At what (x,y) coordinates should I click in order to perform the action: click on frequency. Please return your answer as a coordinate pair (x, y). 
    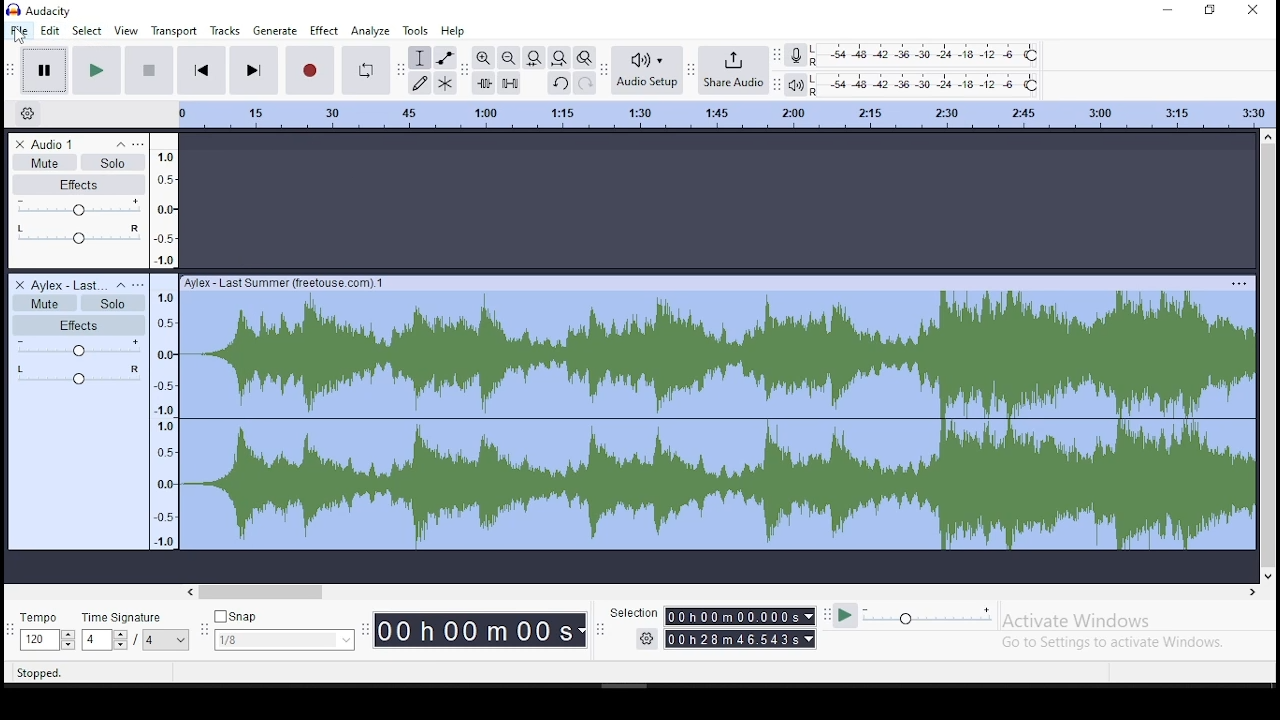
    Looking at the image, I should click on (164, 412).